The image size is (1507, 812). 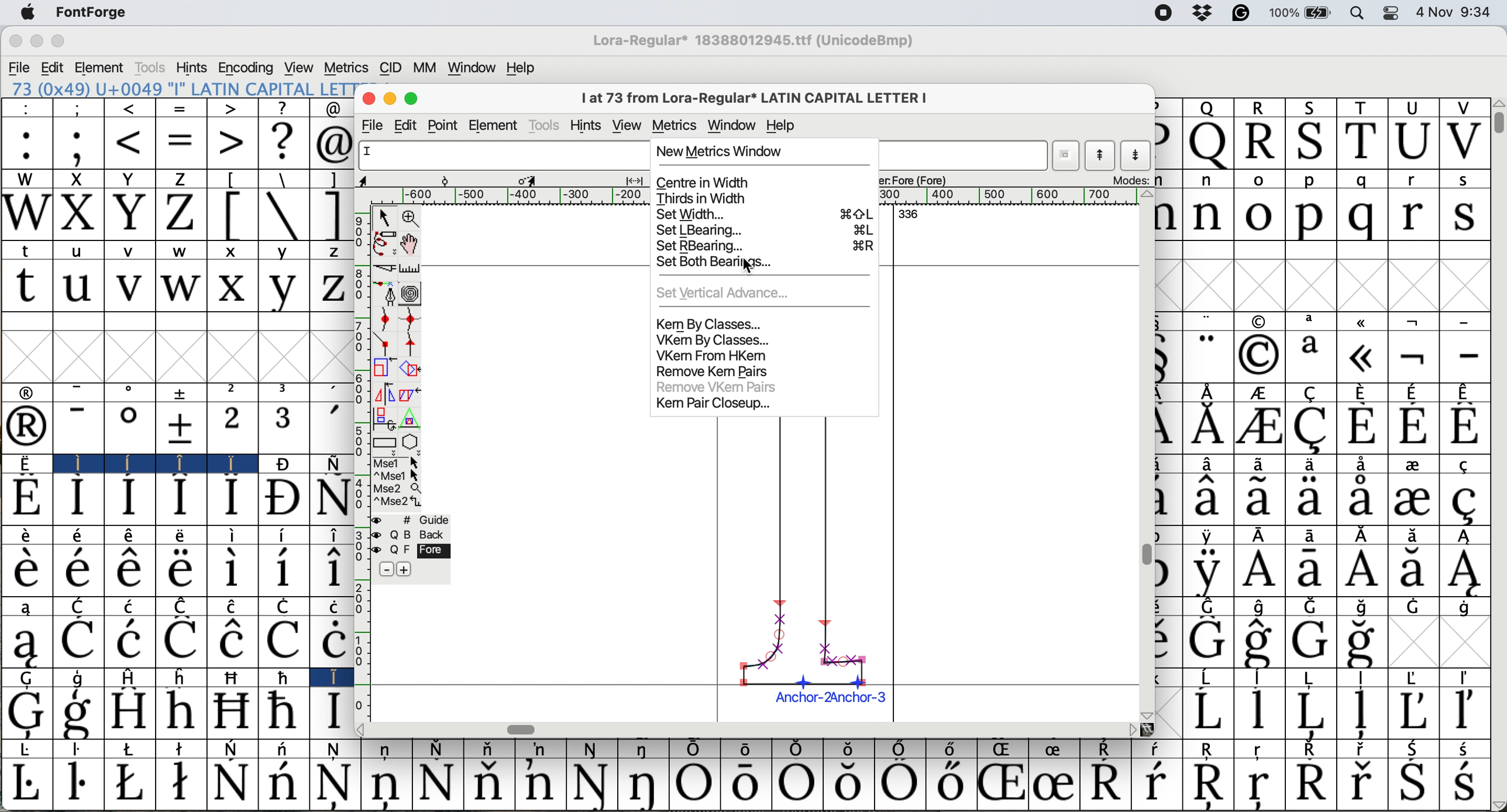 I want to click on Symbol, so click(x=236, y=677).